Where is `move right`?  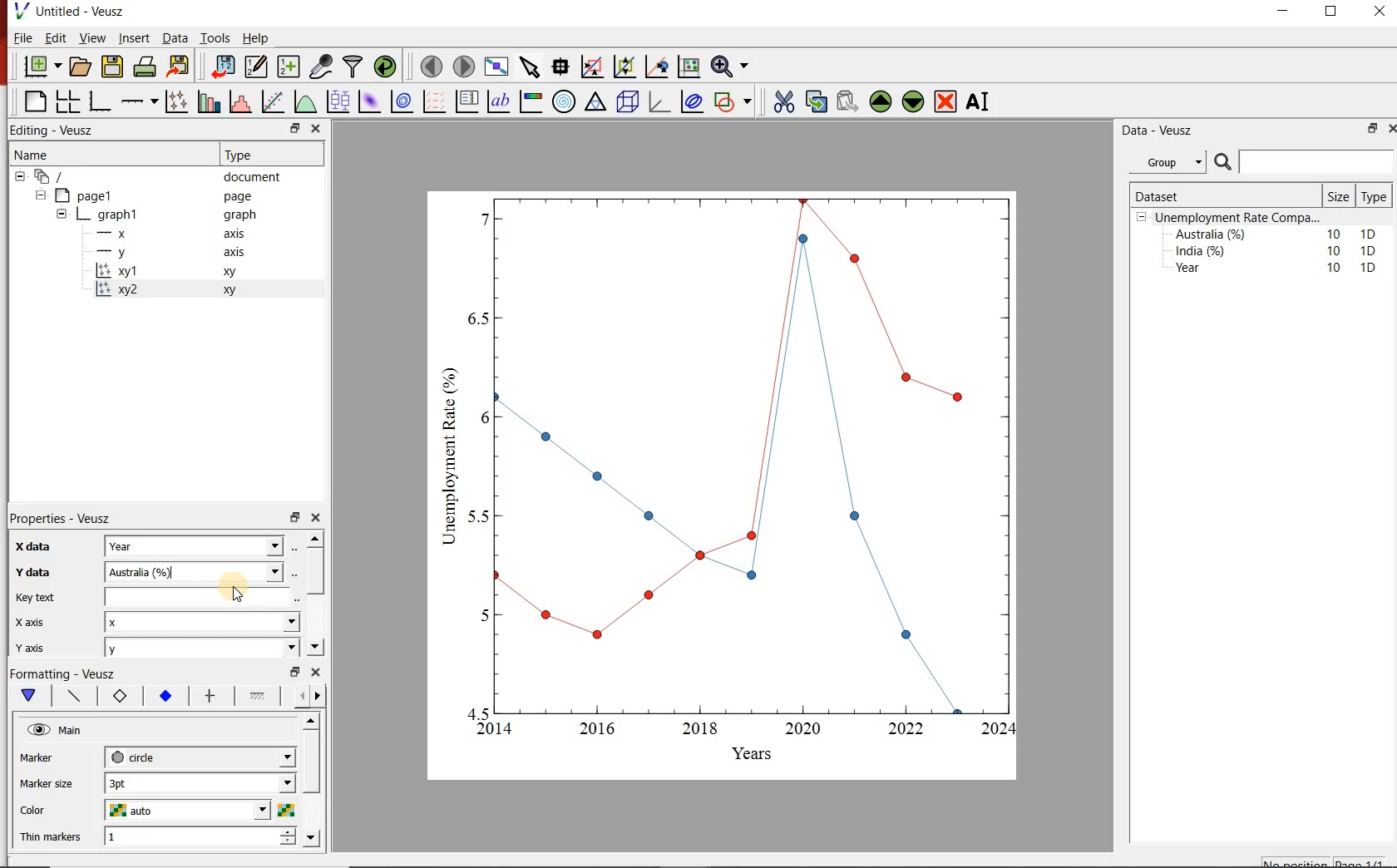 move right is located at coordinates (317, 696).